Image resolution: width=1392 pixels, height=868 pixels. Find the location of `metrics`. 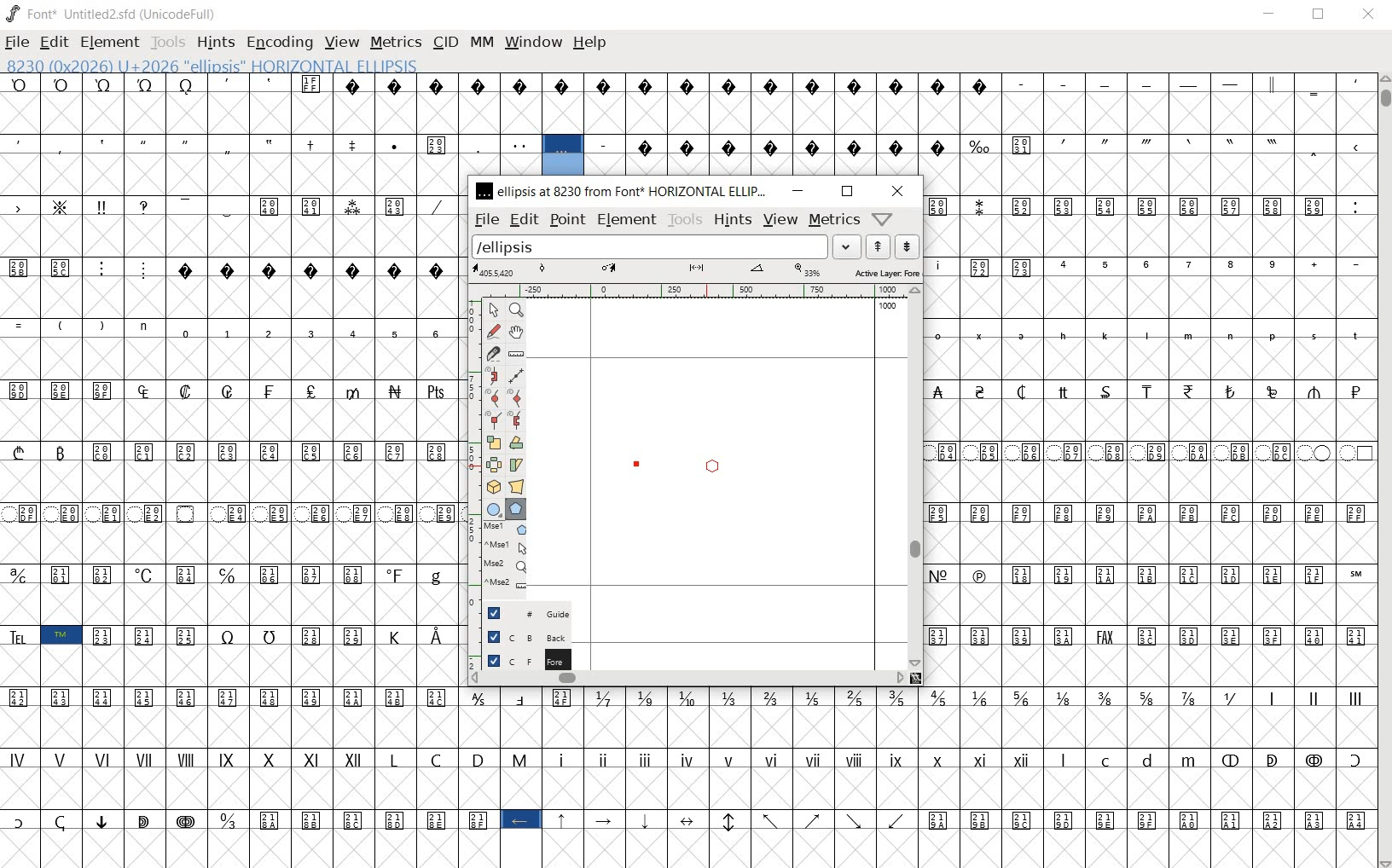

metrics is located at coordinates (832, 222).